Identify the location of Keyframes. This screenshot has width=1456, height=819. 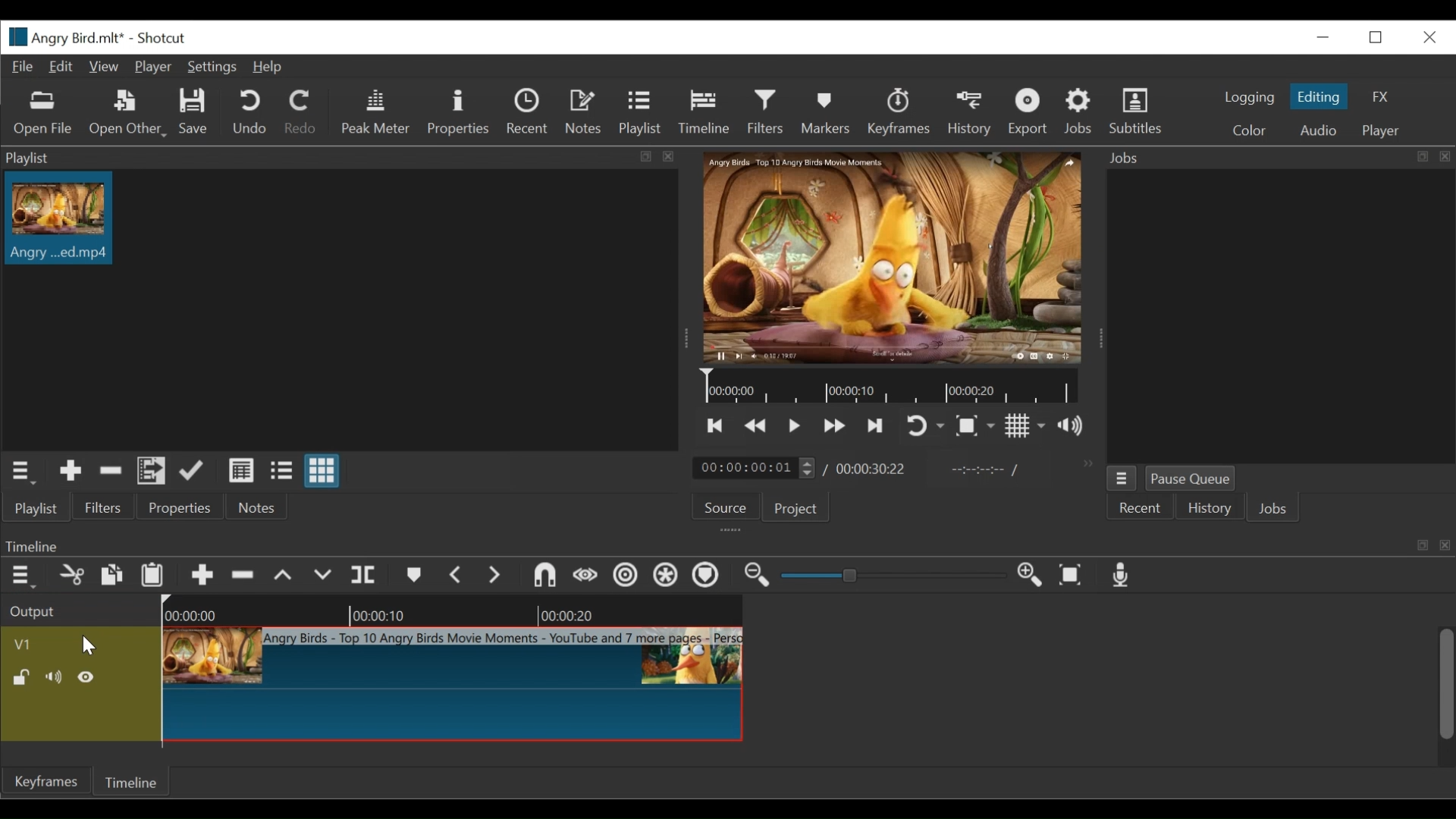
(902, 114).